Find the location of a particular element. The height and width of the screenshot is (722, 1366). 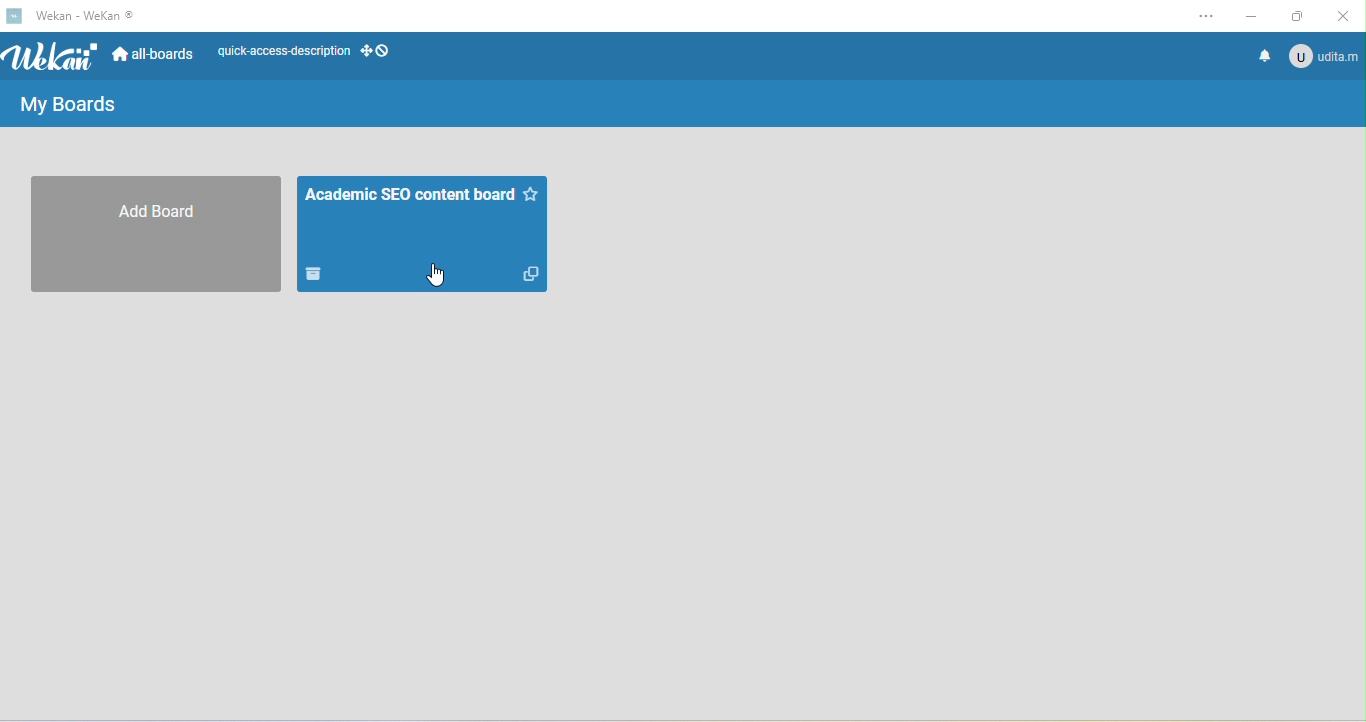

academic SEO board is located at coordinates (408, 195).